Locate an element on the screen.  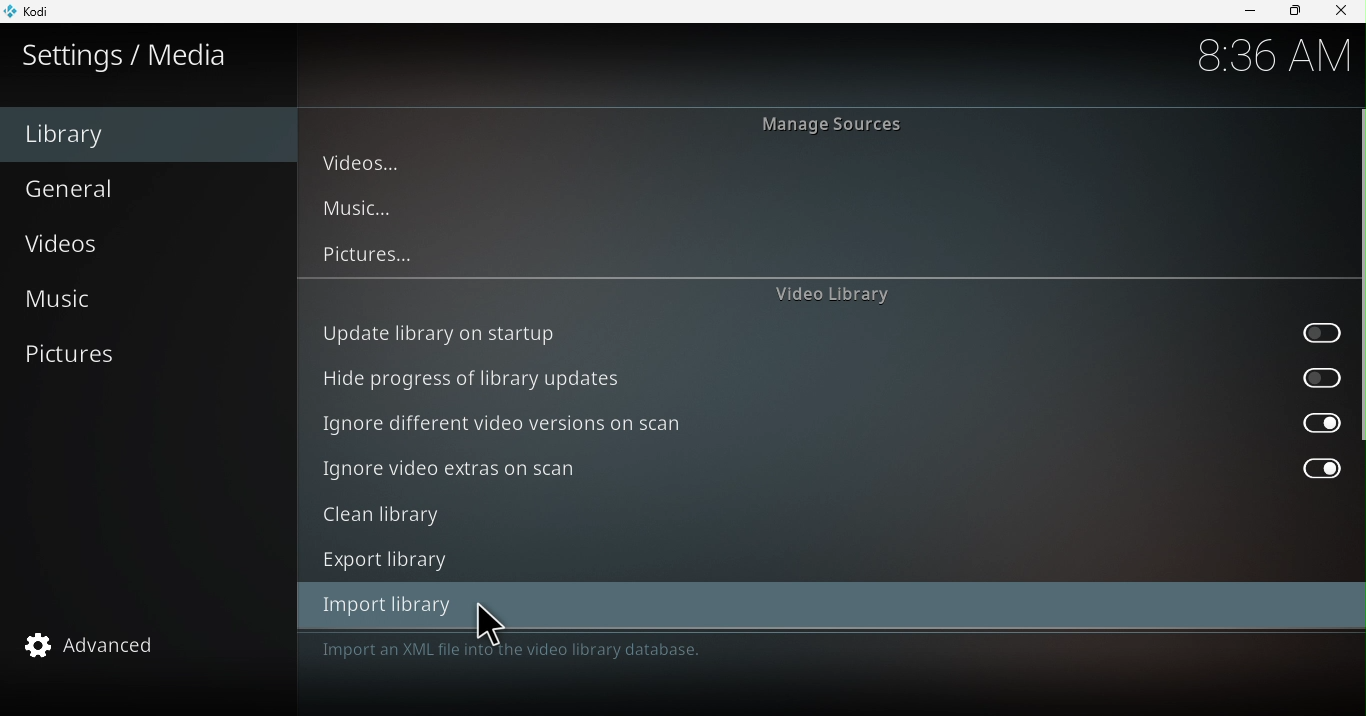
Settings/media is located at coordinates (130, 55).